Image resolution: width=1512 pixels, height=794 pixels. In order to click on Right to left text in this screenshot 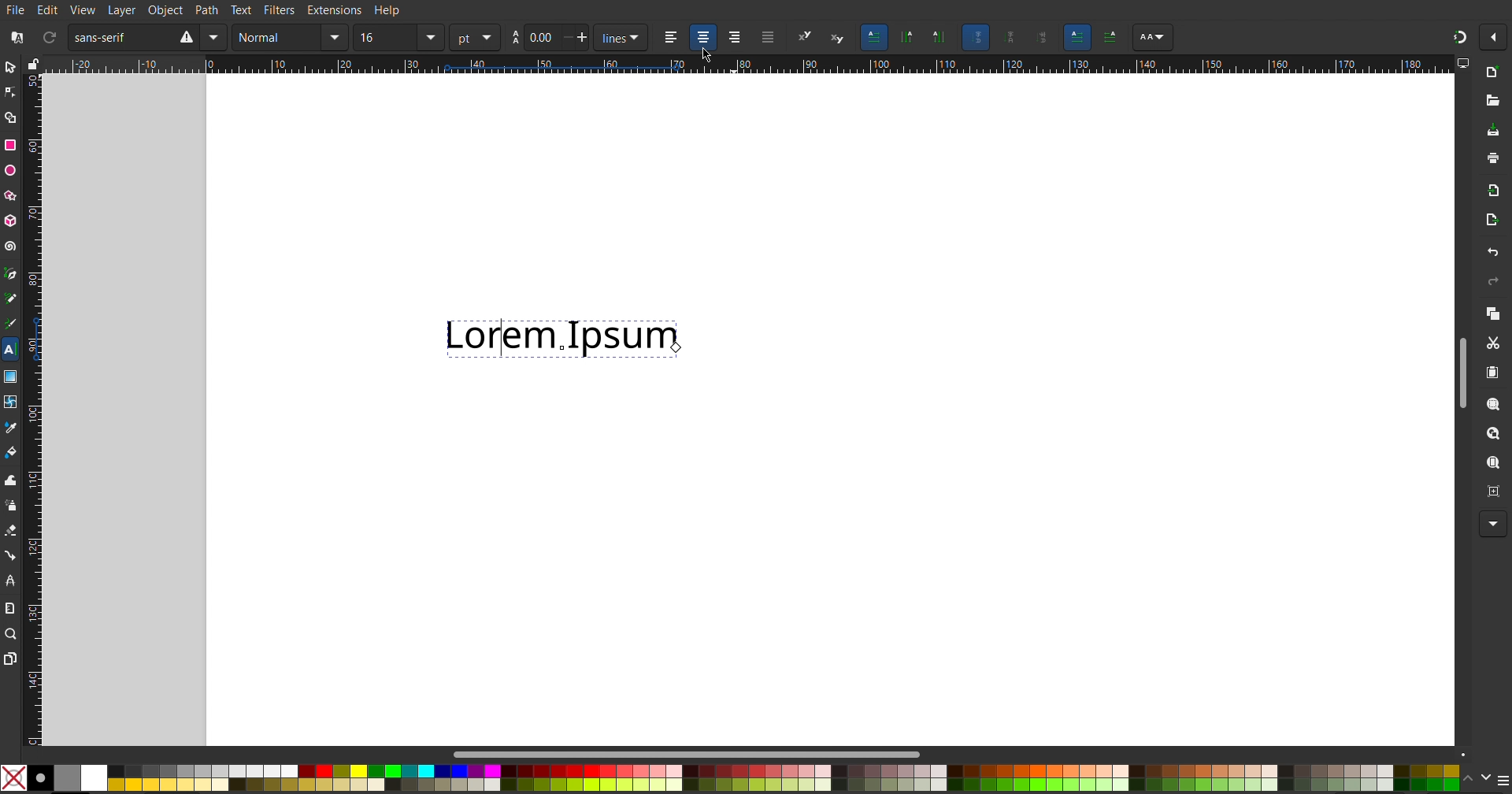, I will do `click(1113, 37)`.